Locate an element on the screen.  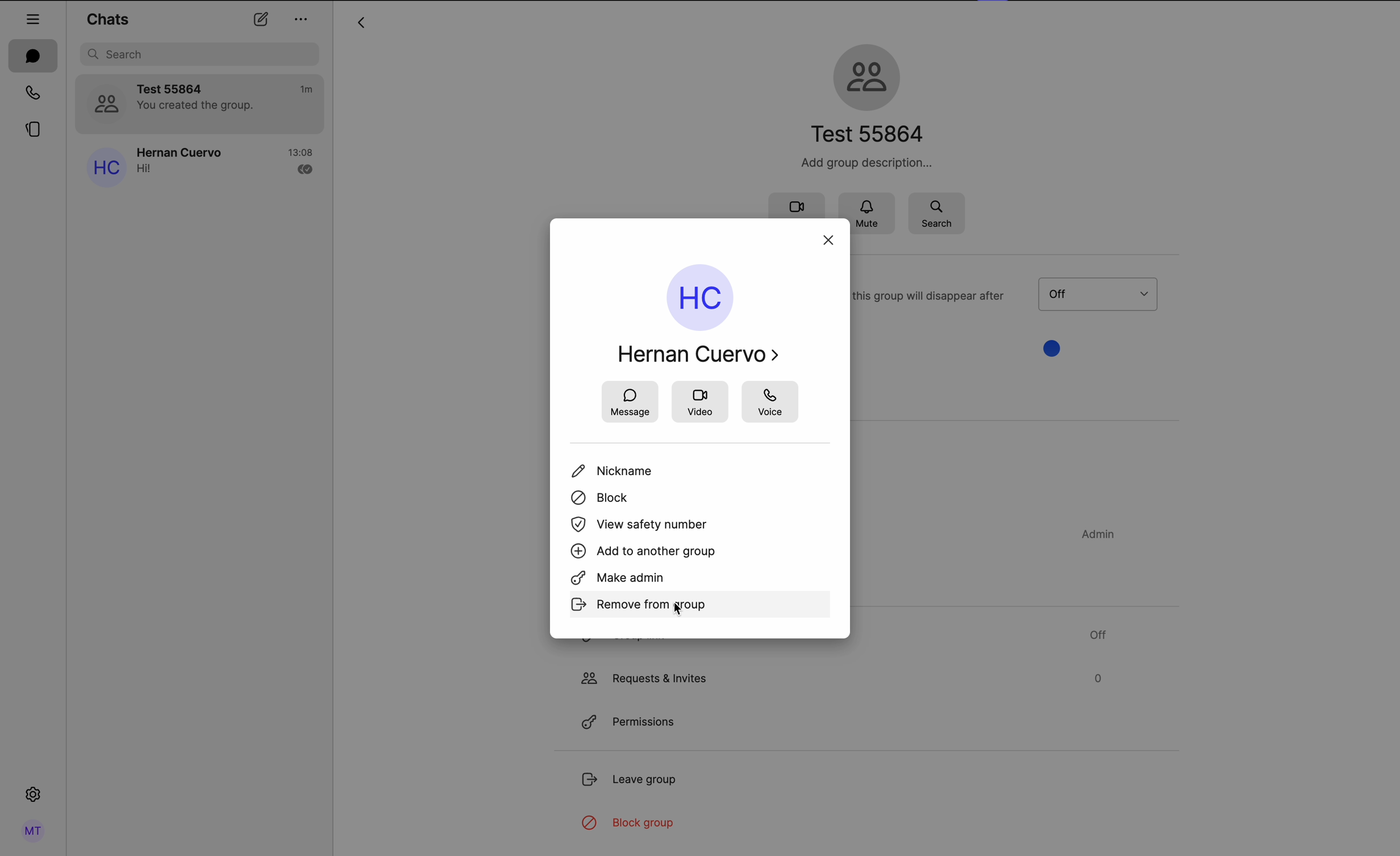
next contact is located at coordinates (778, 356).